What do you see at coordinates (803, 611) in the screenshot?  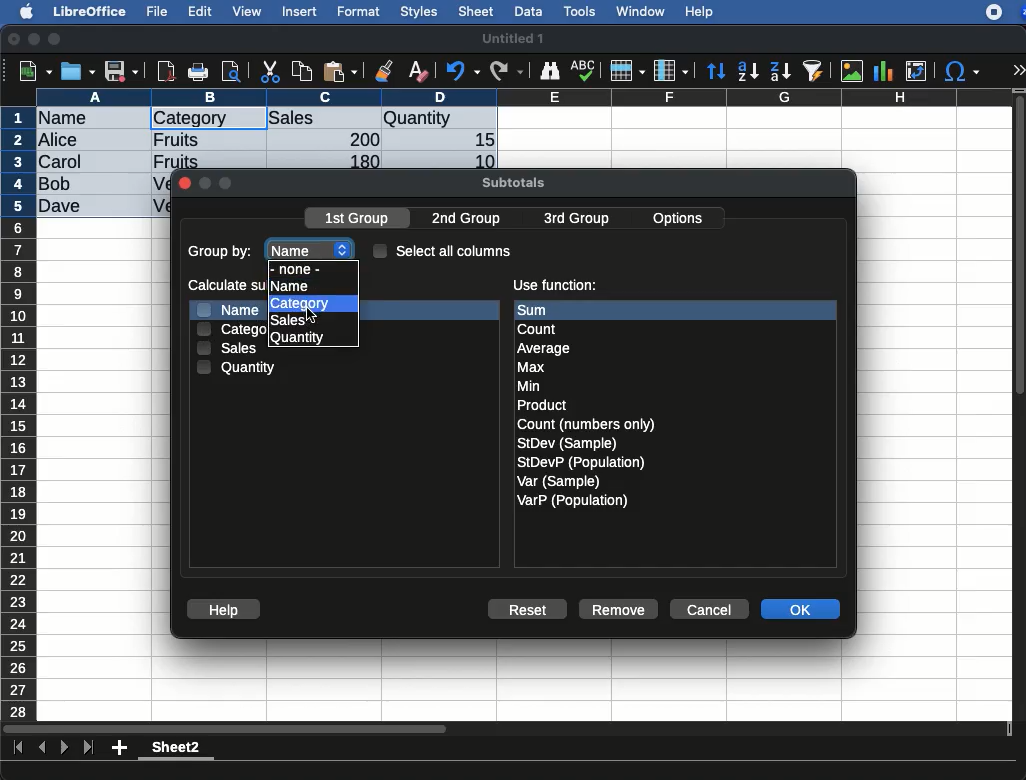 I see `ok` at bounding box center [803, 611].